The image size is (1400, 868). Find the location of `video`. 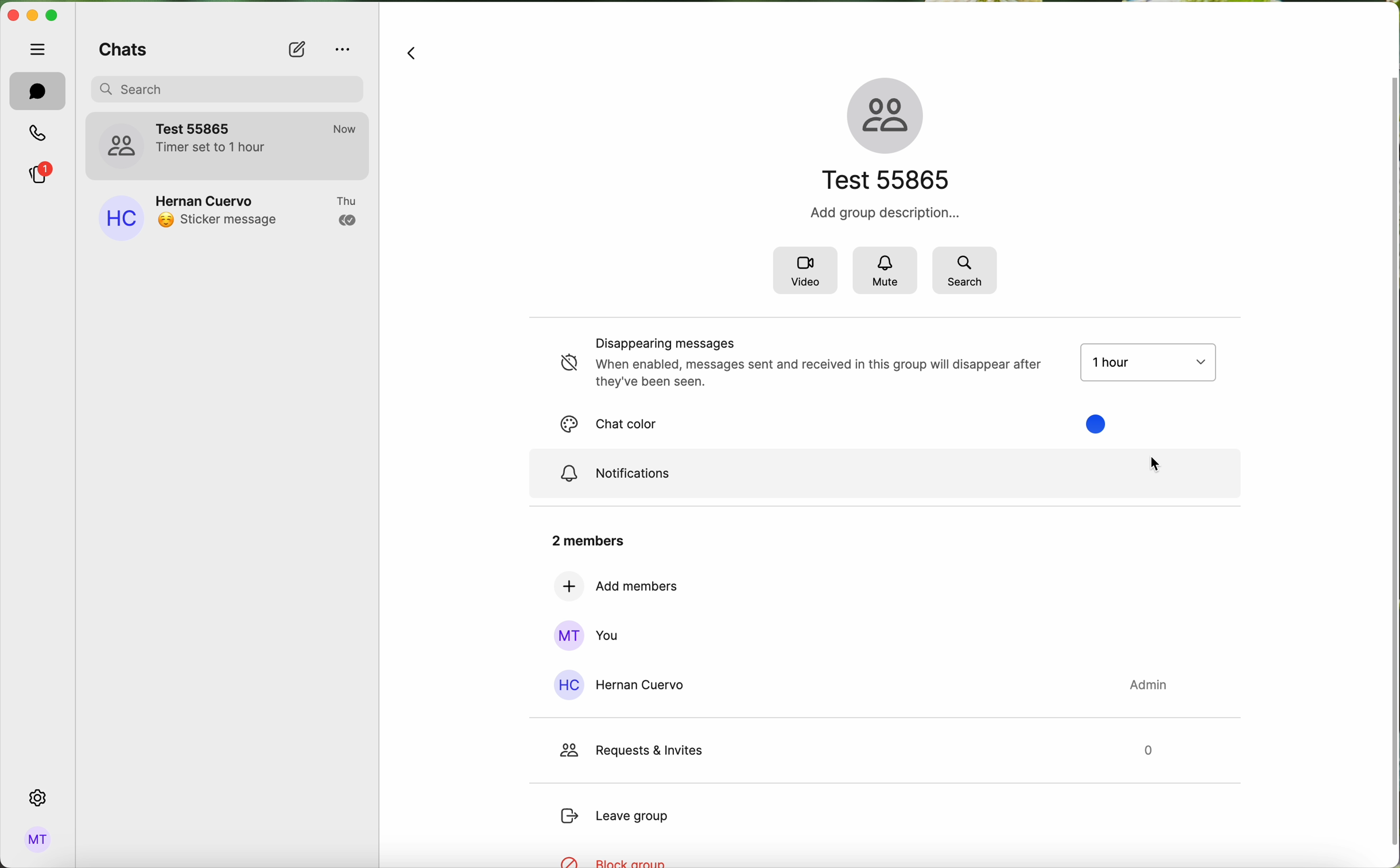

video is located at coordinates (804, 270).